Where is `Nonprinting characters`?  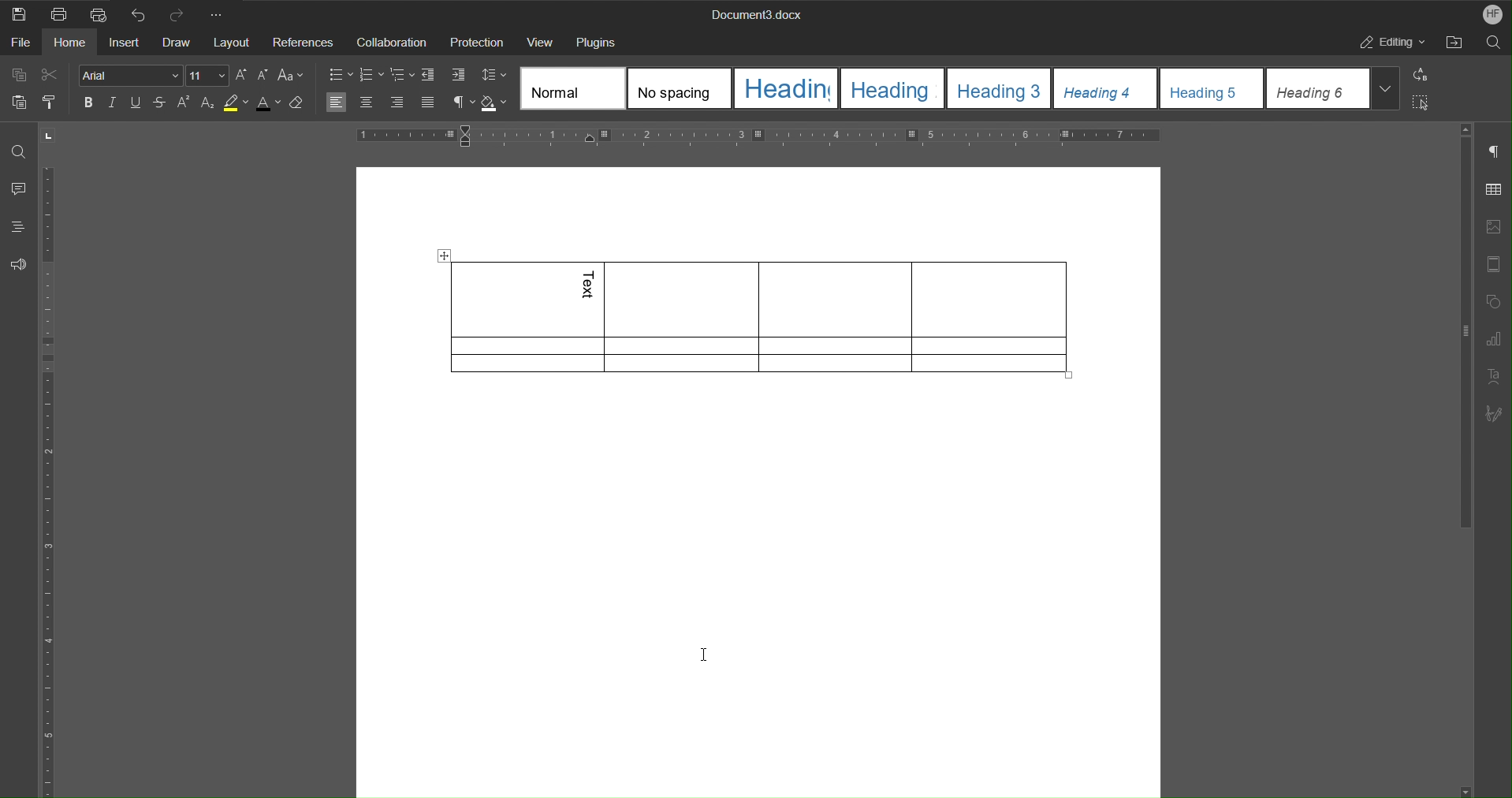
Nonprinting characters is located at coordinates (460, 103).